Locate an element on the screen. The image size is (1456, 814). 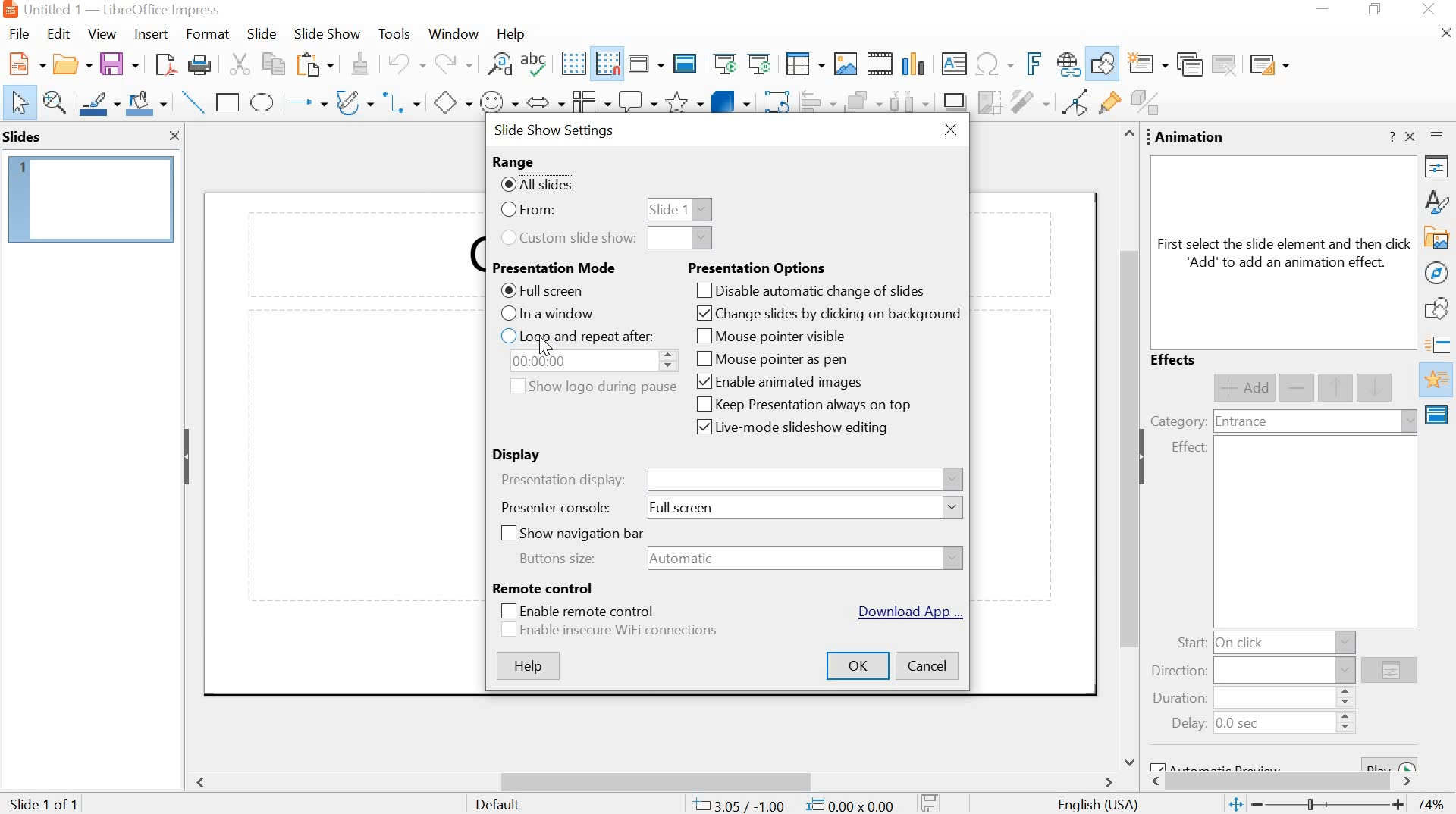
slide show settings is located at coordinates (557, 131).